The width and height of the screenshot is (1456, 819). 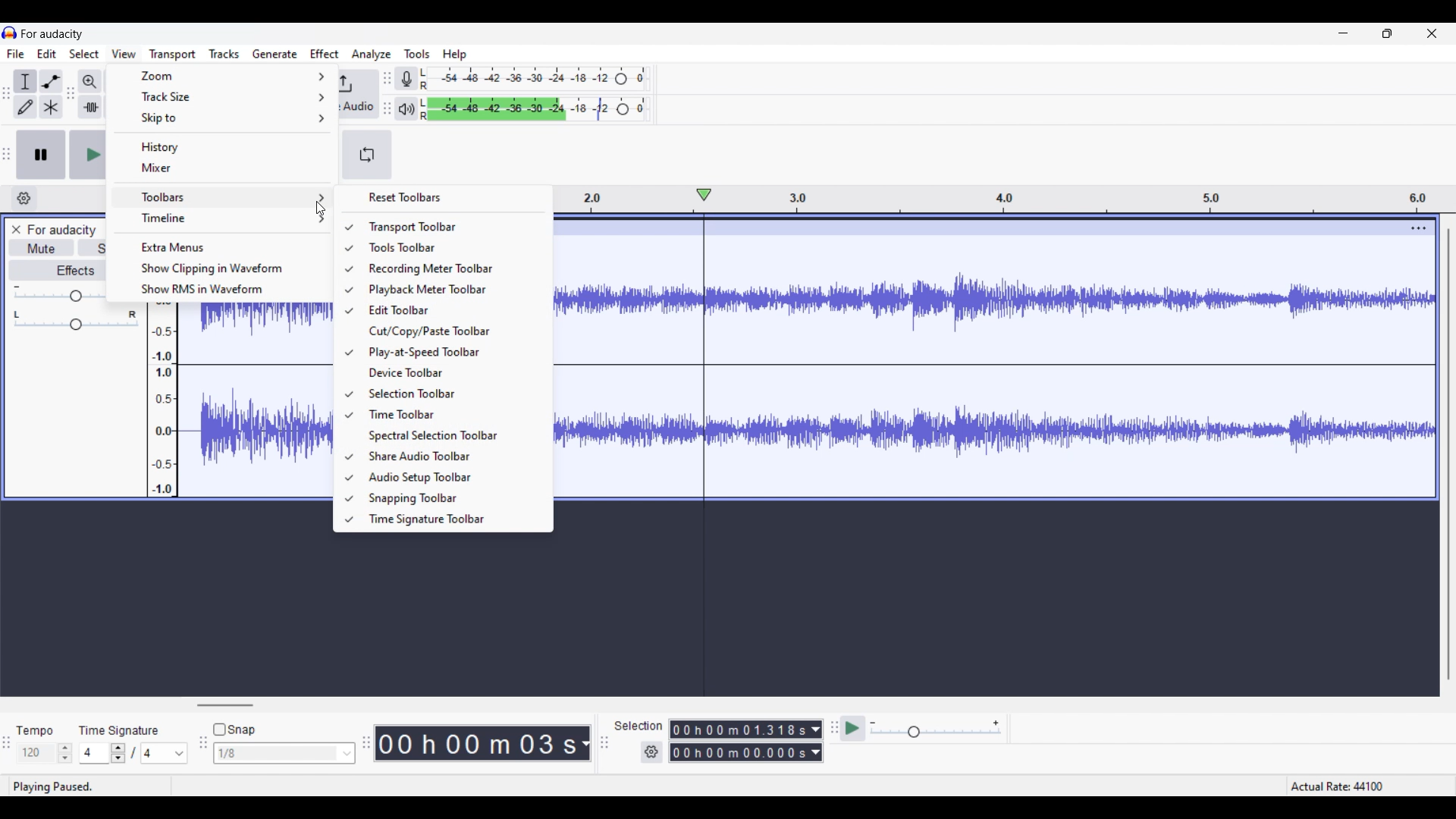 I want to click on Share audio toolbar, so click(x=450, y=457).